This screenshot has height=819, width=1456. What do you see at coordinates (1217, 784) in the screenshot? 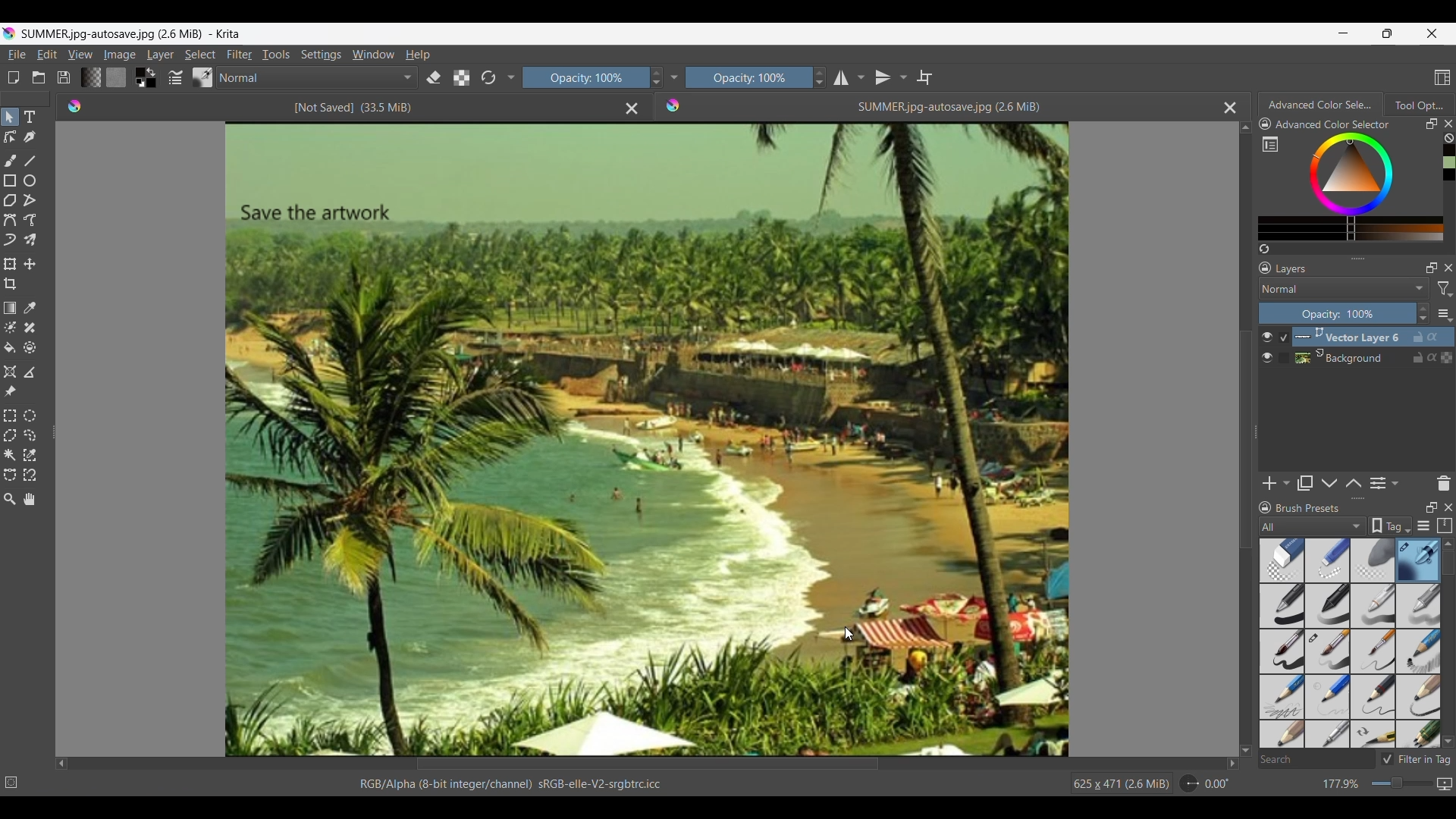
I see `Current rotation of image` at bounding box center [1217, 784].